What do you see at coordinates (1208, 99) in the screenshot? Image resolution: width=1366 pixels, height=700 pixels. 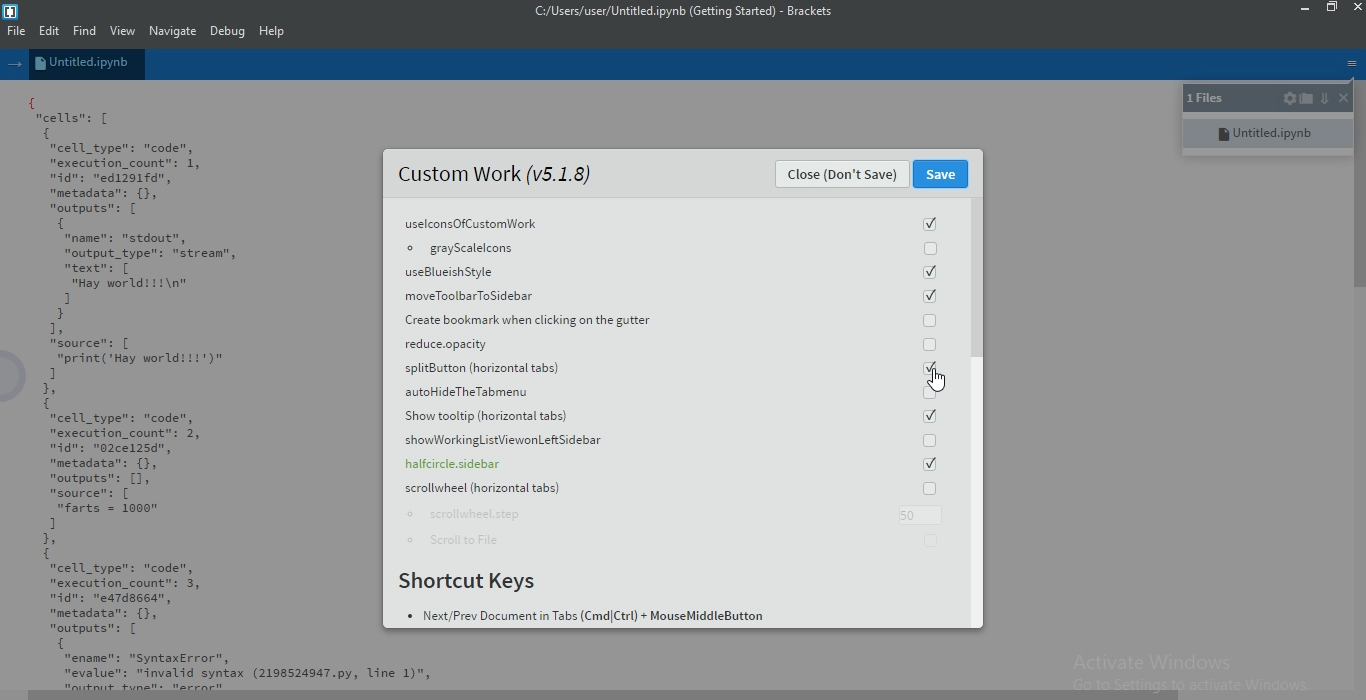 I see `1 files` at bounding box center [1208, 99].